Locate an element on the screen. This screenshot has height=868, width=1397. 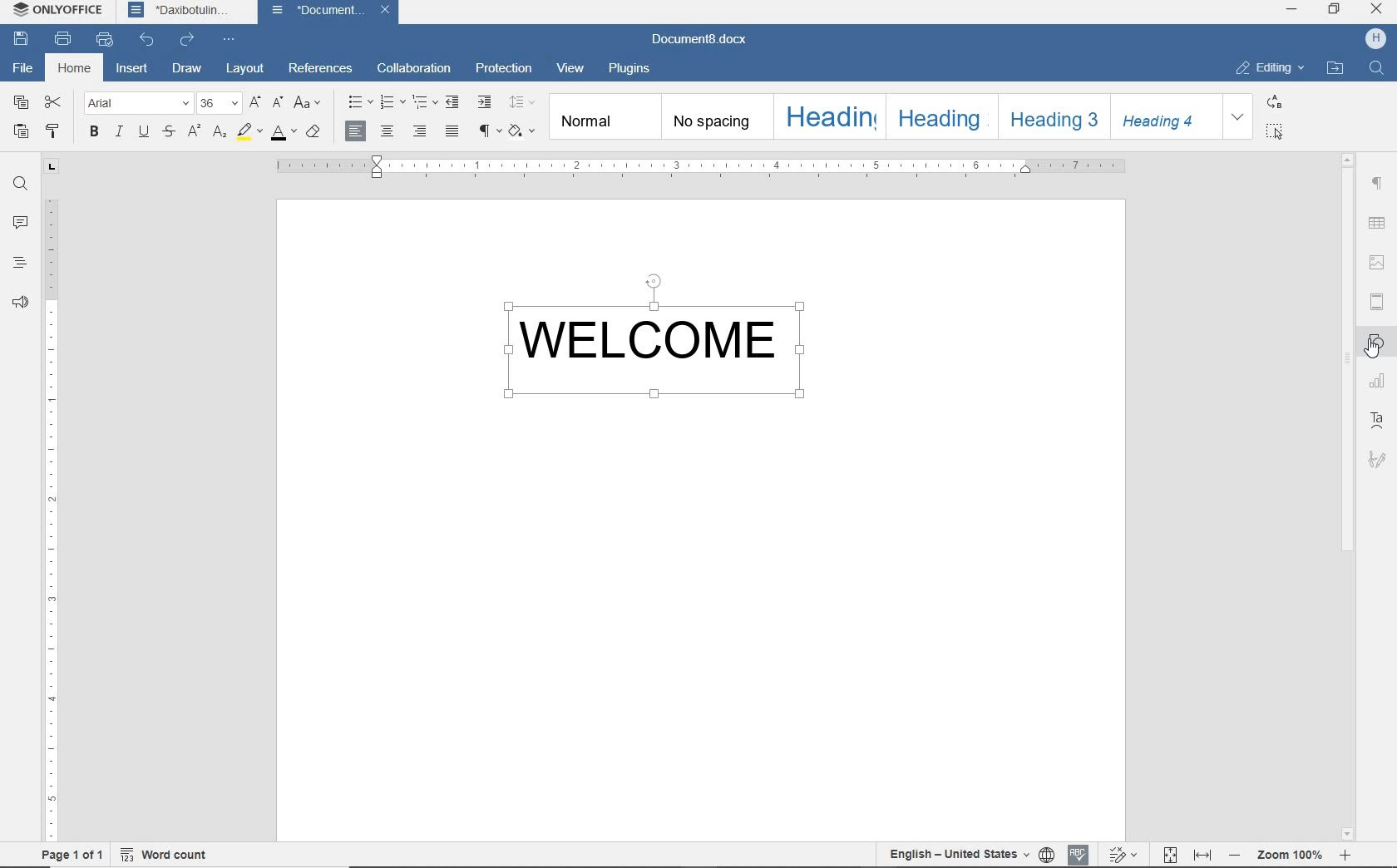
MINIMIZE is located at coordinates (1292, 8).